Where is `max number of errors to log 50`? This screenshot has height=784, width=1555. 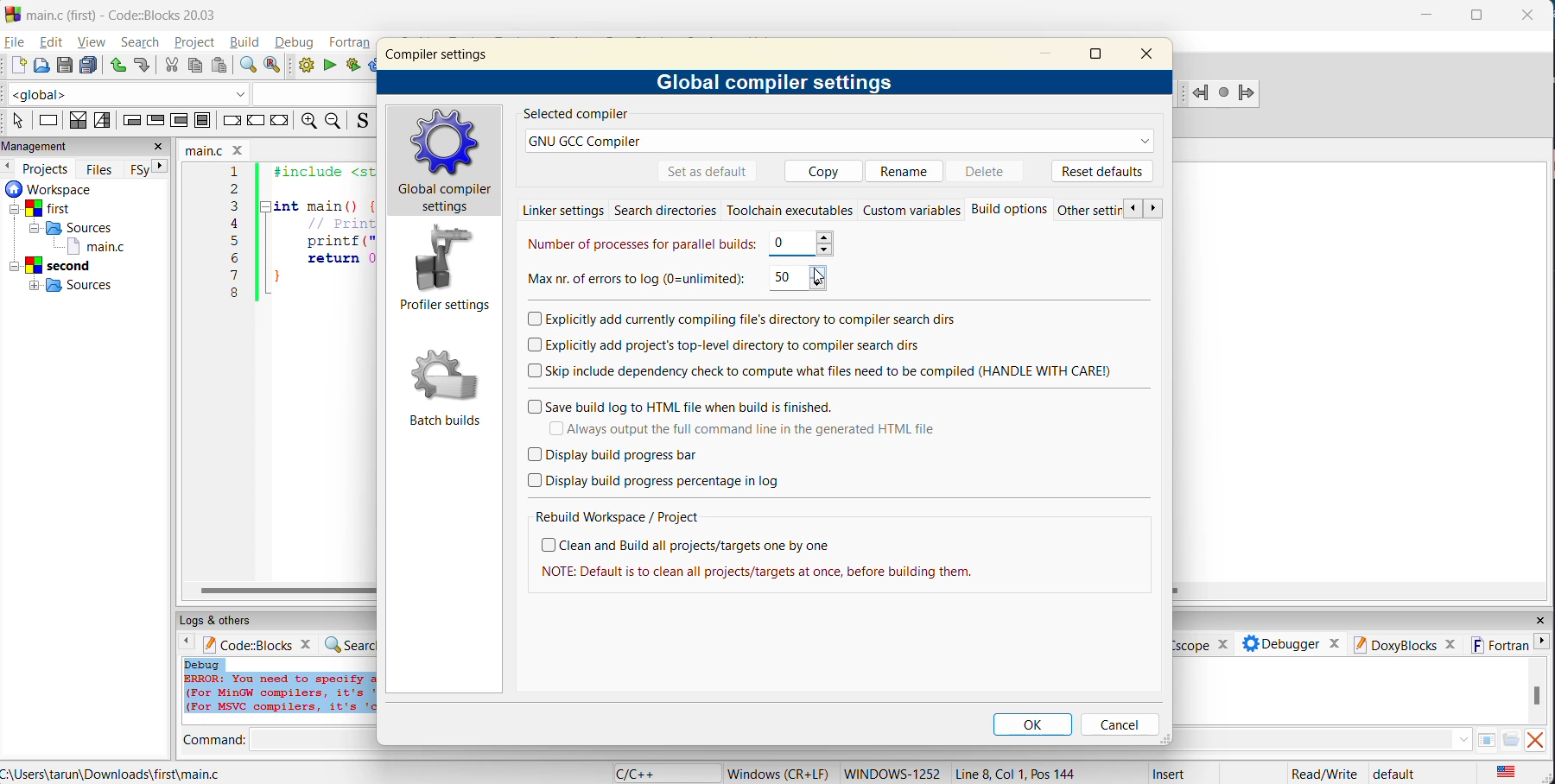
max number of errors to log 50 is located at coordinates (681, 279).